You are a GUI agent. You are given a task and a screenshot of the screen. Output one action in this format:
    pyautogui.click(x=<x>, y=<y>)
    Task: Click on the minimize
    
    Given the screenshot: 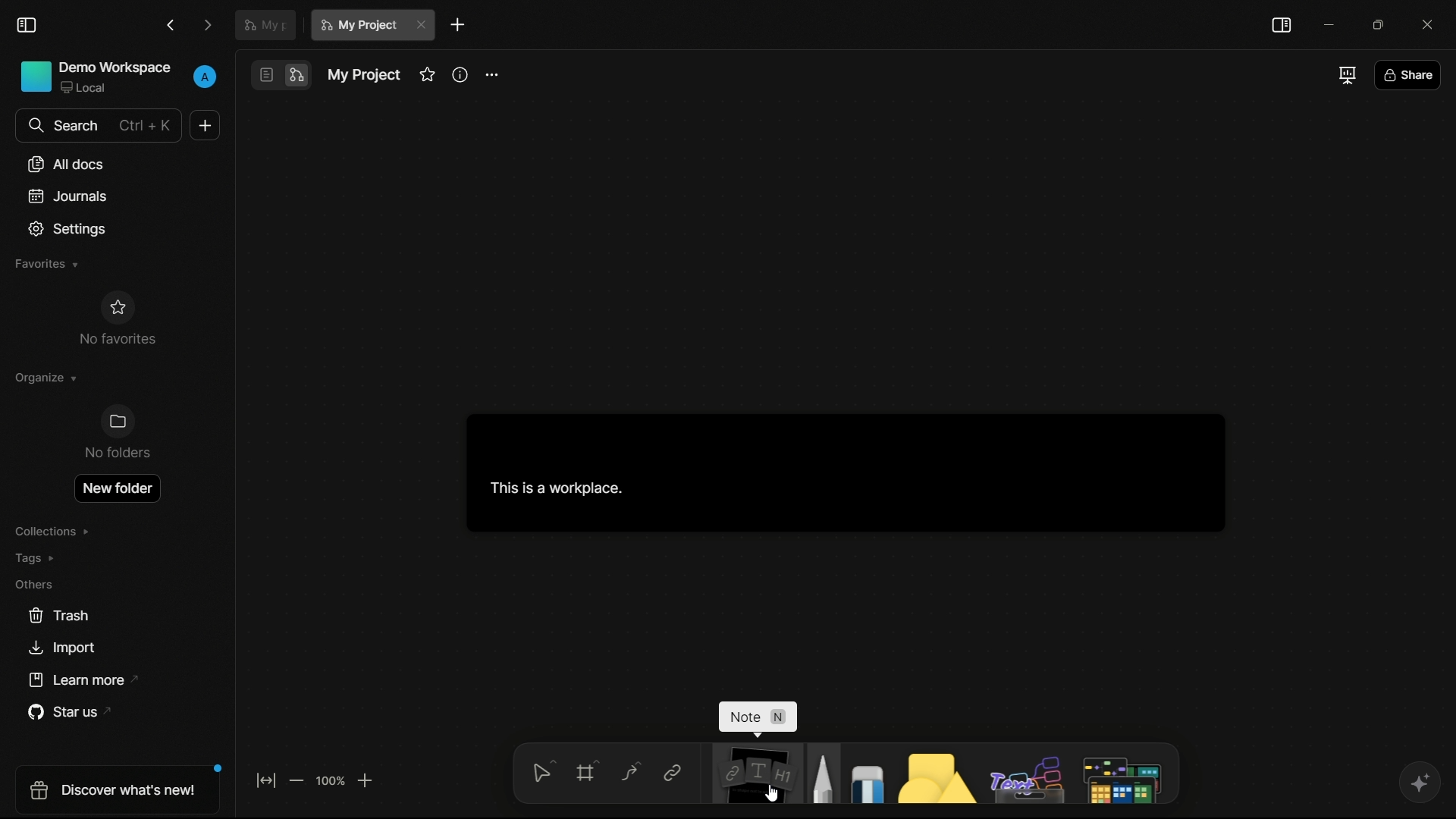 What is the action you would take?
    pyautogui.click(x=1328, y=24)
    